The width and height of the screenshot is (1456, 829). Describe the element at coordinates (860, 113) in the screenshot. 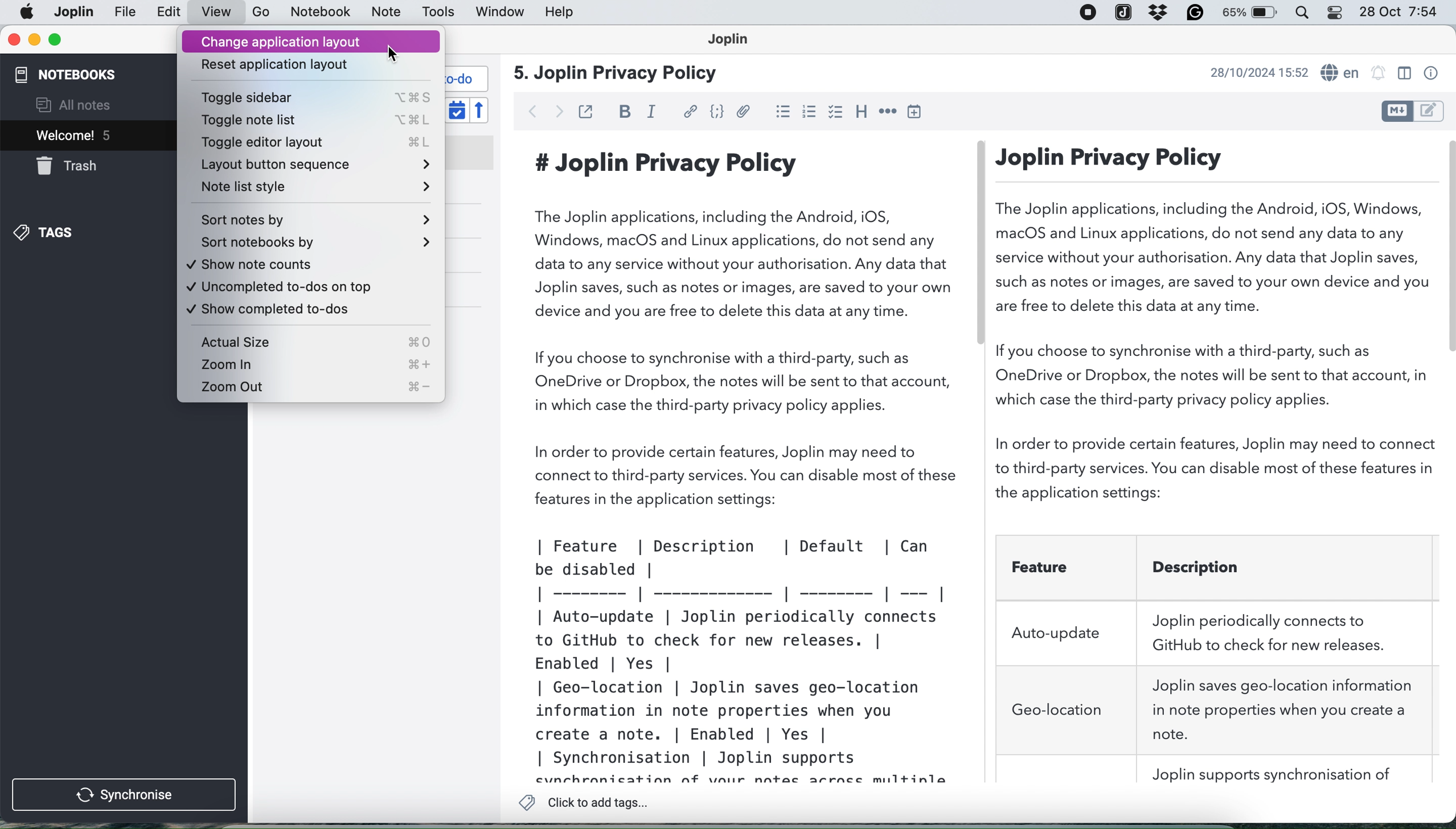

I see `heading` at that location.